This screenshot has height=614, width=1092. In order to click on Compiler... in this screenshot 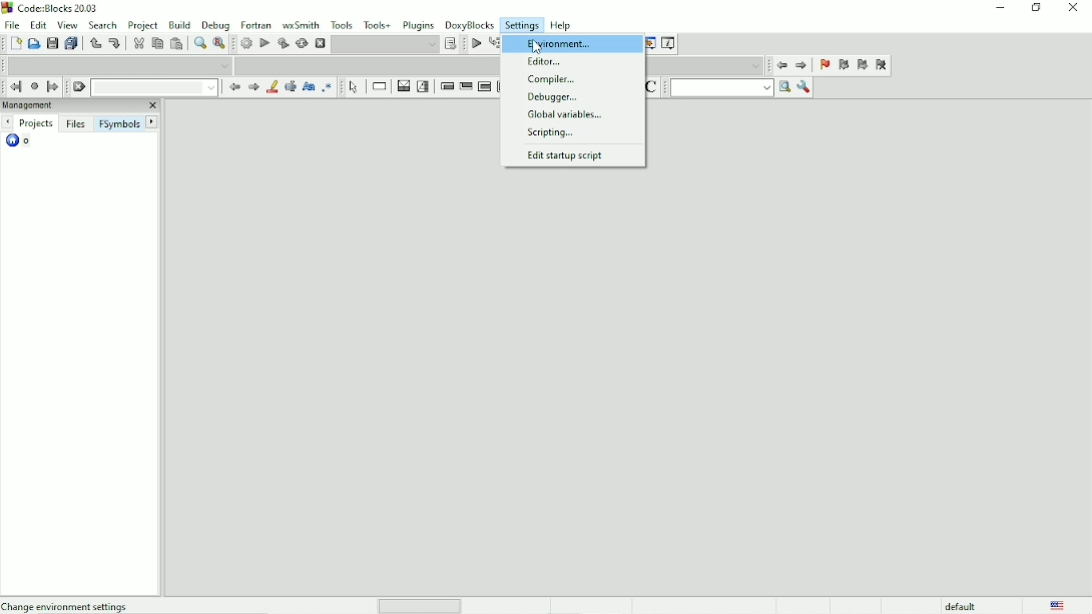, I will do `click(548, 79)`.